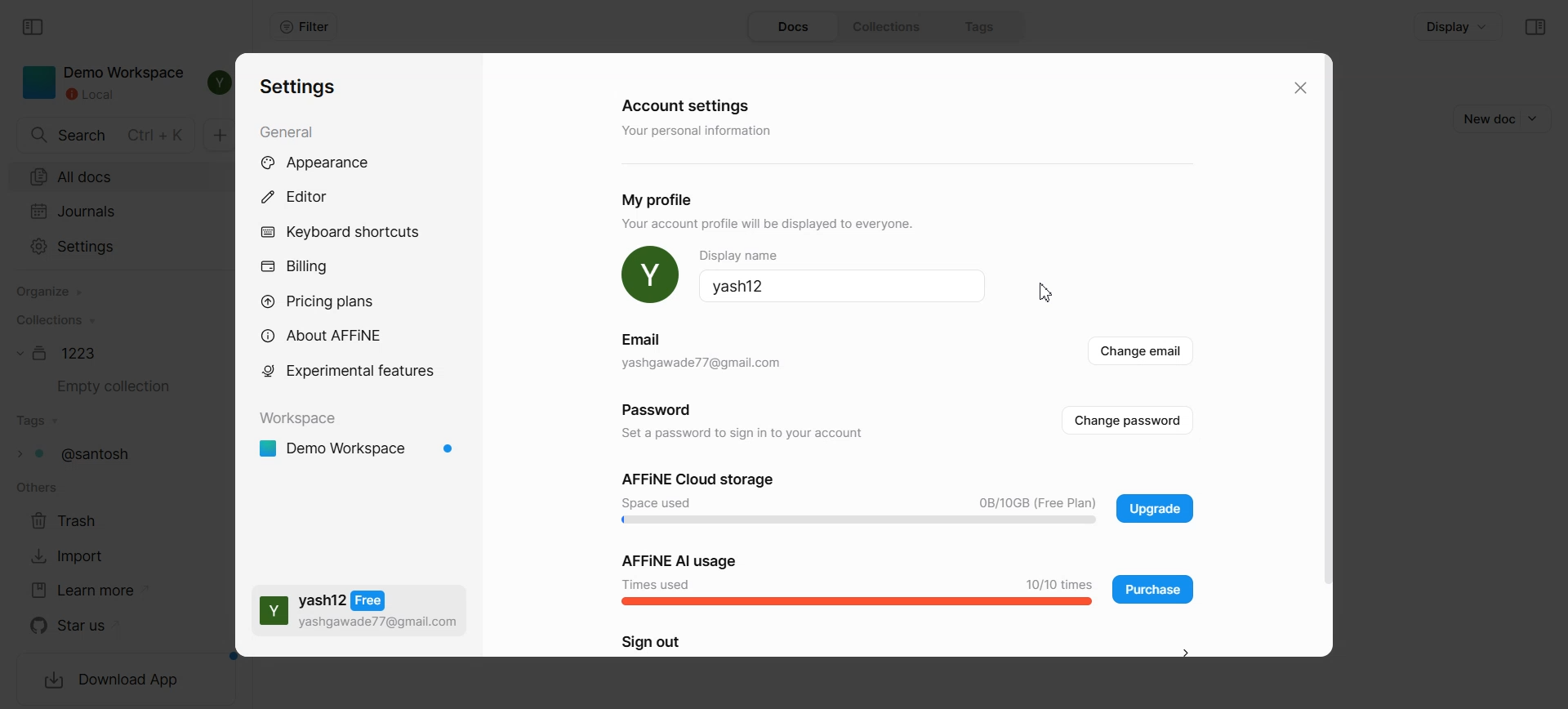 The image size is (1568, 709). I want to click on Demo workspace, so click(359, 450).